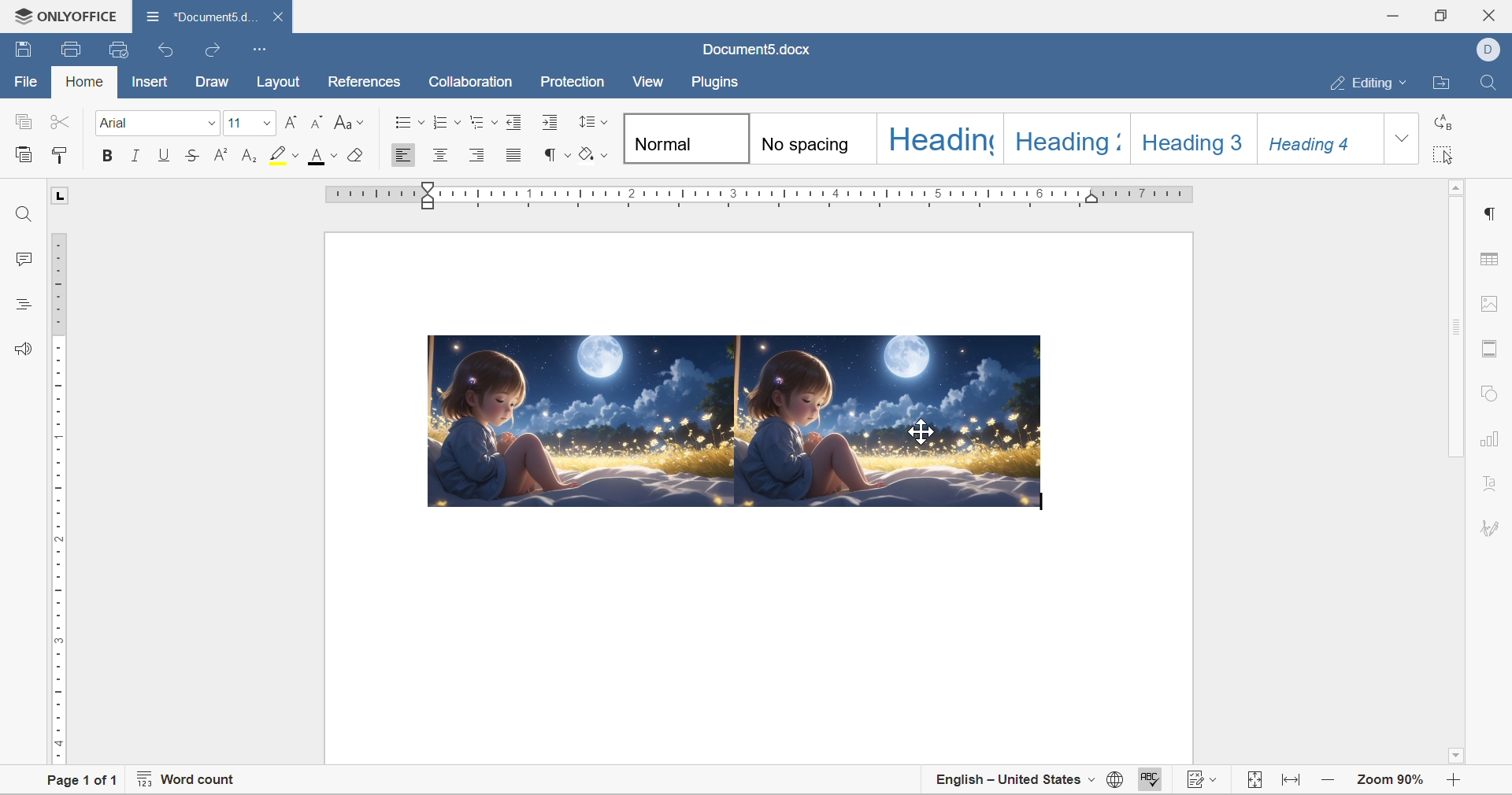 This screenshot has width=1512, height=795. Describe the element at coordinates (1490, 391) in the screenshot. I see `shape settings` at that location.